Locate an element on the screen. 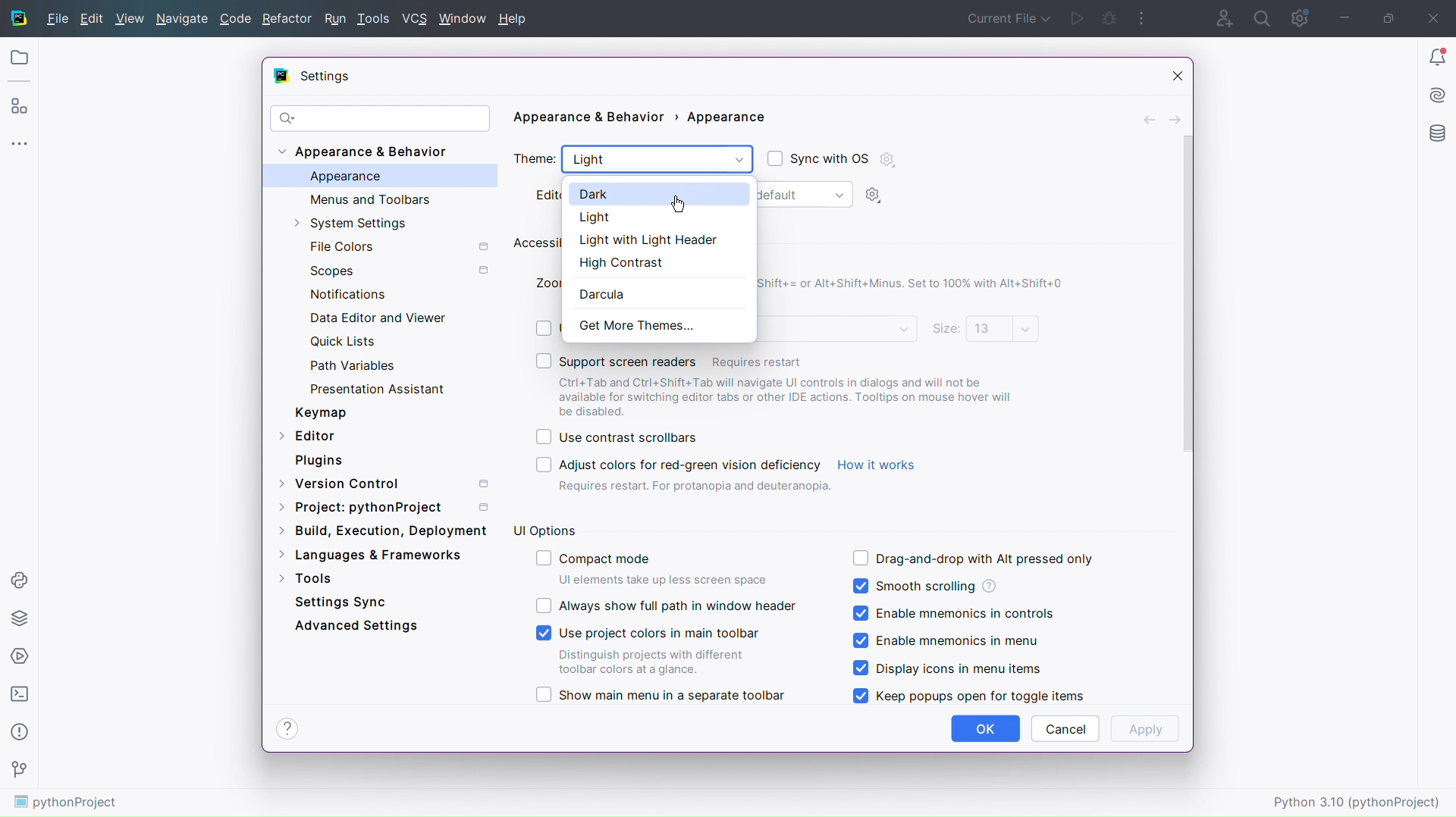  Use contrast scrollbars is located at coordinates (616, 438).